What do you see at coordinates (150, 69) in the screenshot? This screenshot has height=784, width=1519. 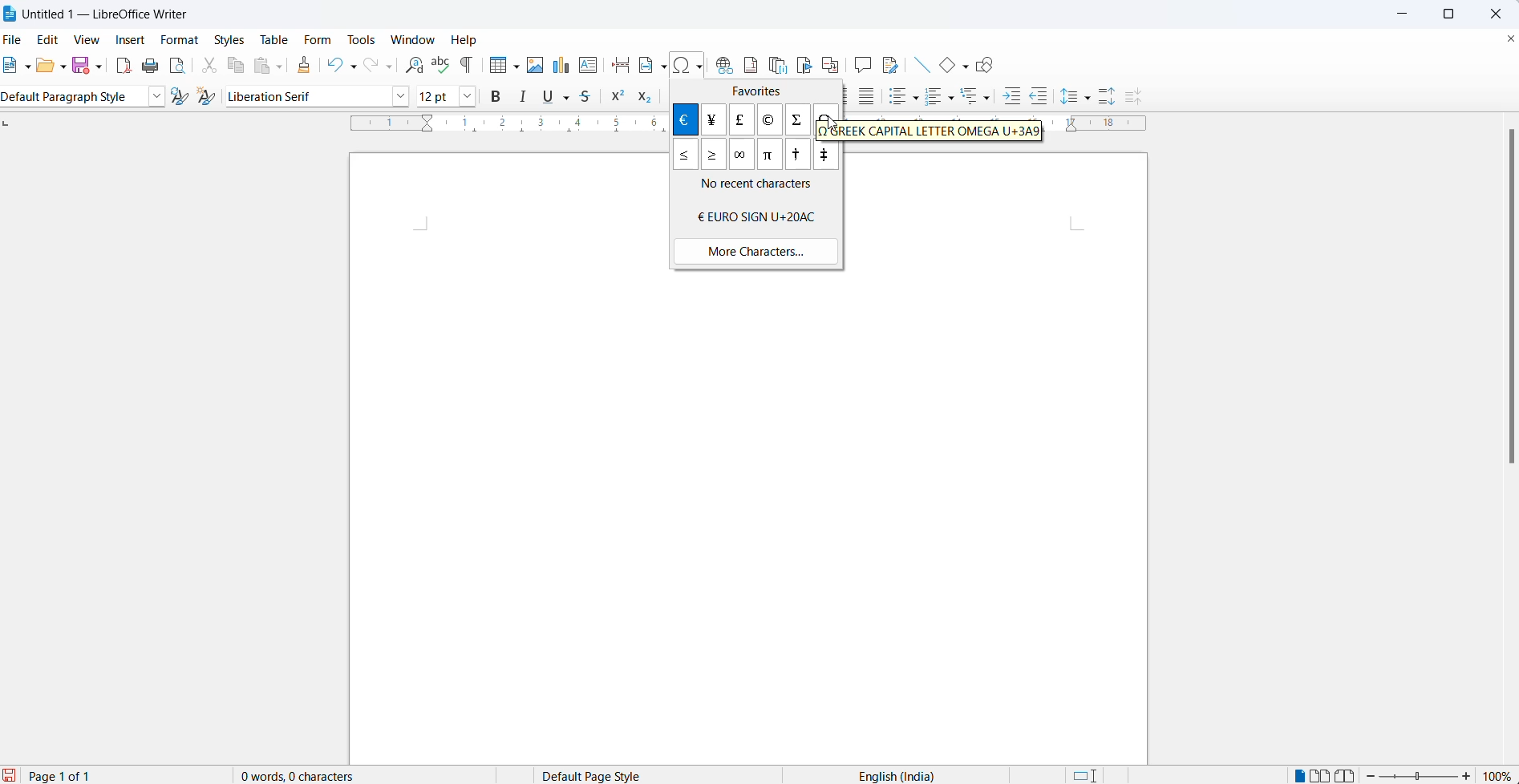 I see `print` at bounding box center [150, 69].